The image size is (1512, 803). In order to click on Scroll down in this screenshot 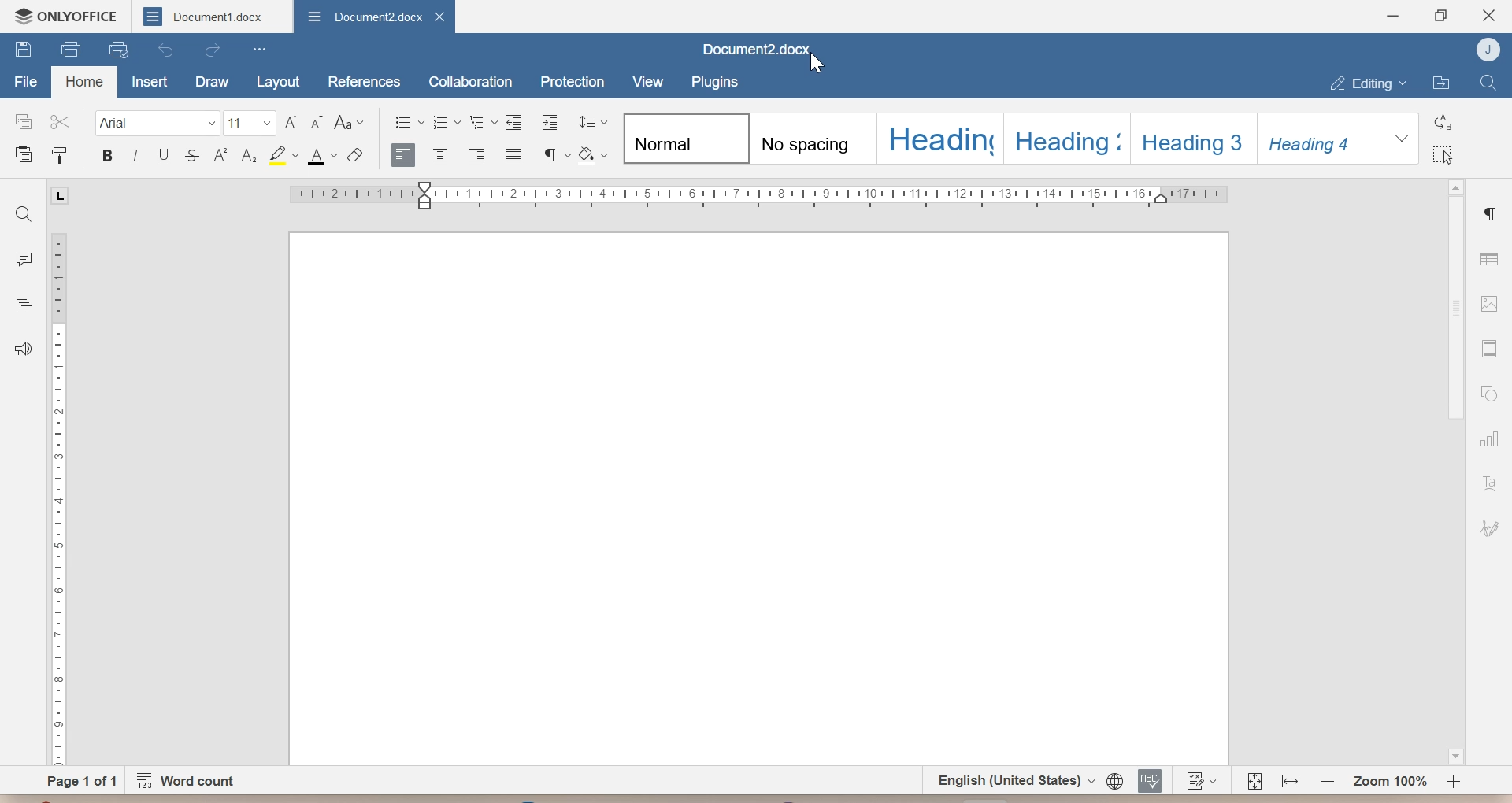, I will do `click(1455, 756)`.